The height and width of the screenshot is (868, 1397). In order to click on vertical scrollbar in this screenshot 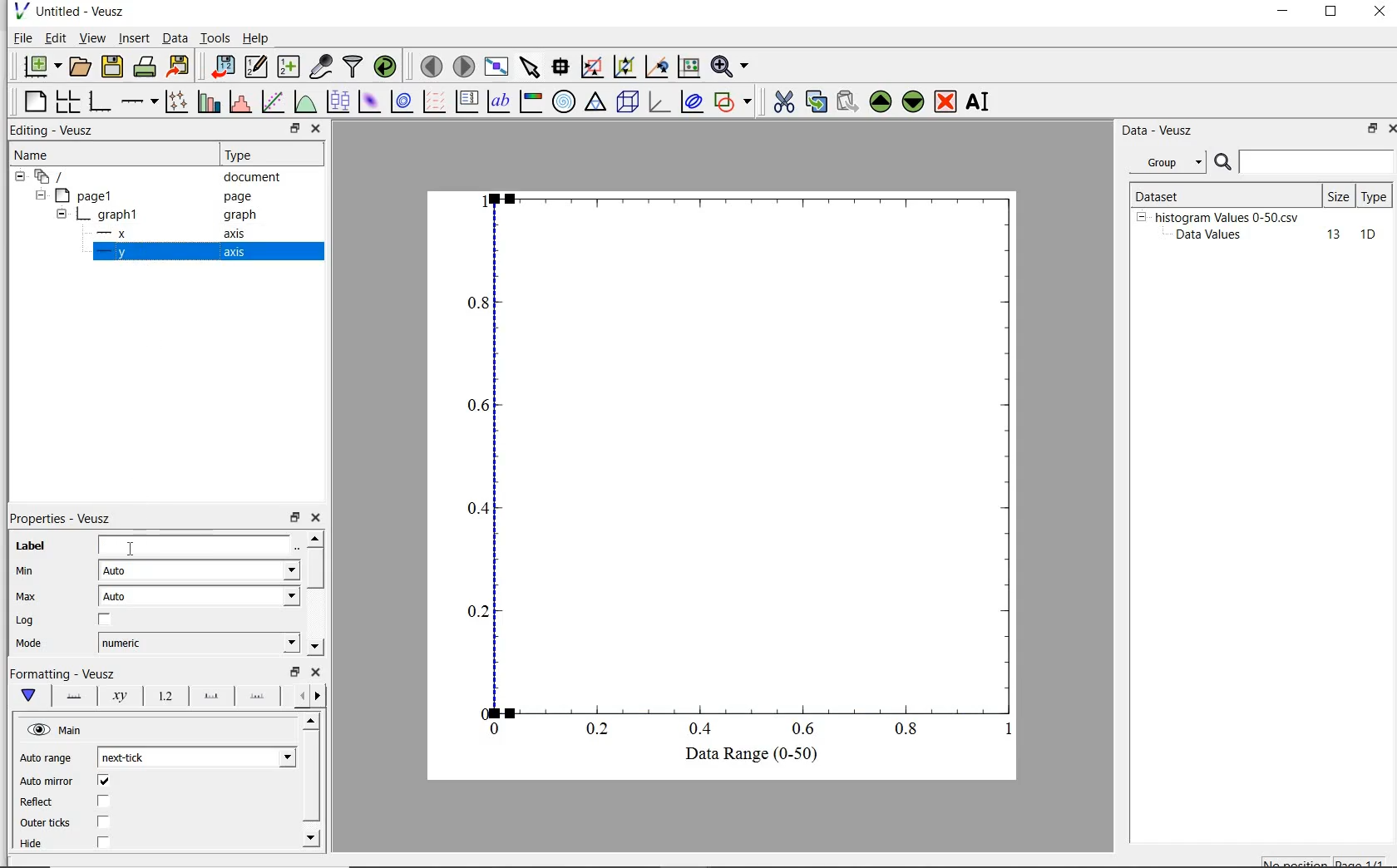, I will do `click(314, 568)`.